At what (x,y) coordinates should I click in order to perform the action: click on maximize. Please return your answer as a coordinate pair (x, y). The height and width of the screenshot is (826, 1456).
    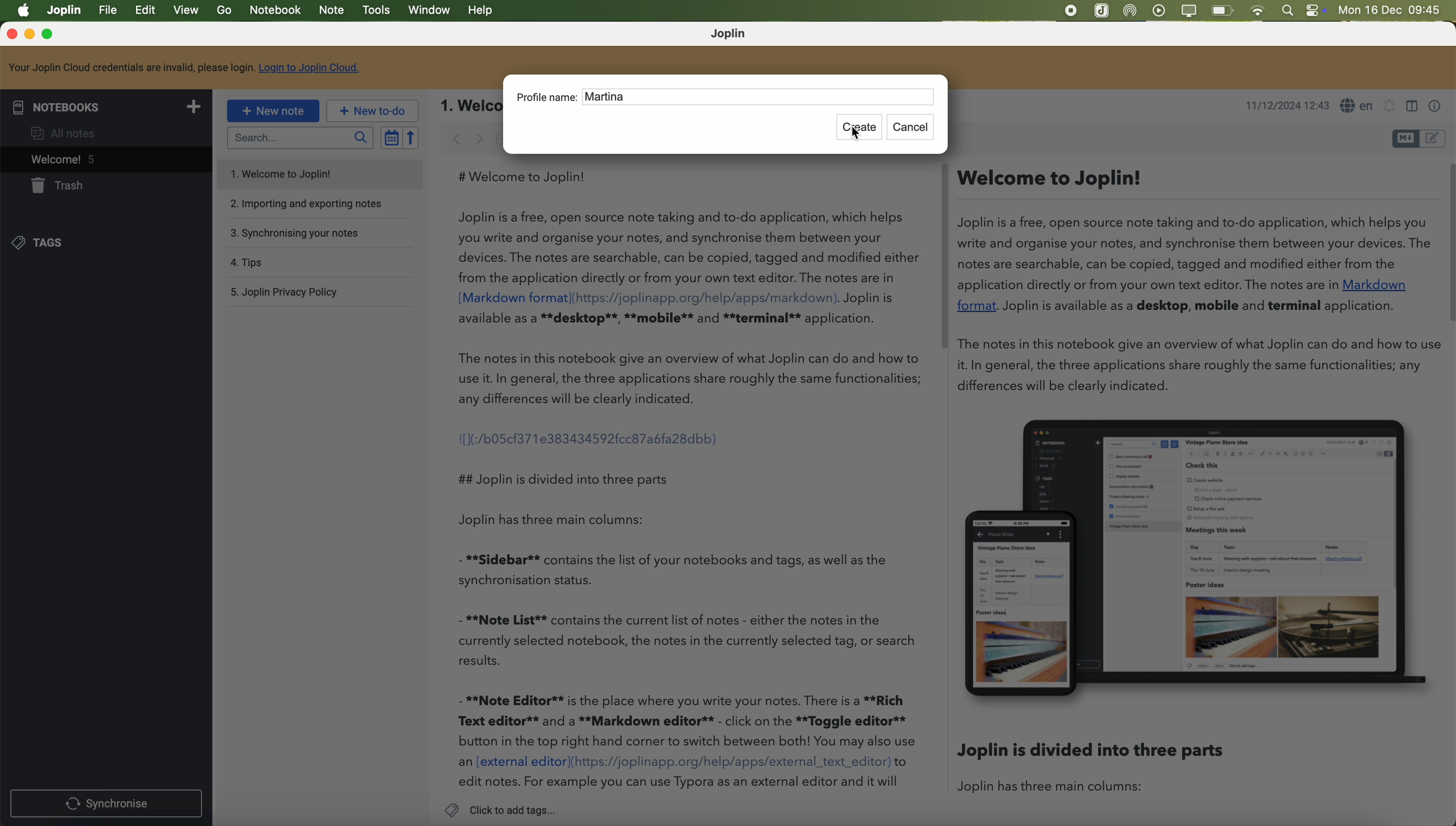
    Looking at the image, I should click on (50, 35).